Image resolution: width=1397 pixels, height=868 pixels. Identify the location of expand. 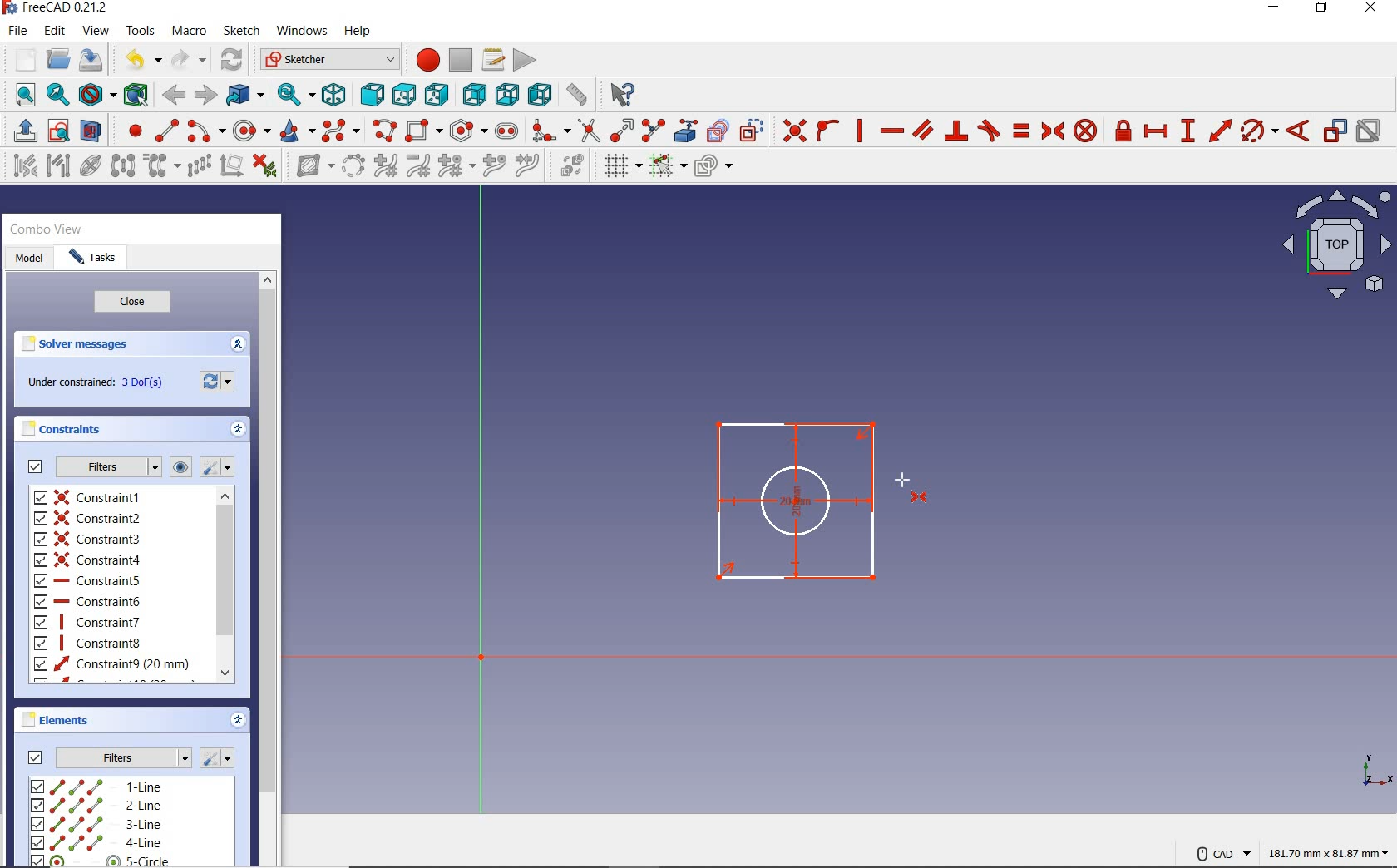
(239, 718).